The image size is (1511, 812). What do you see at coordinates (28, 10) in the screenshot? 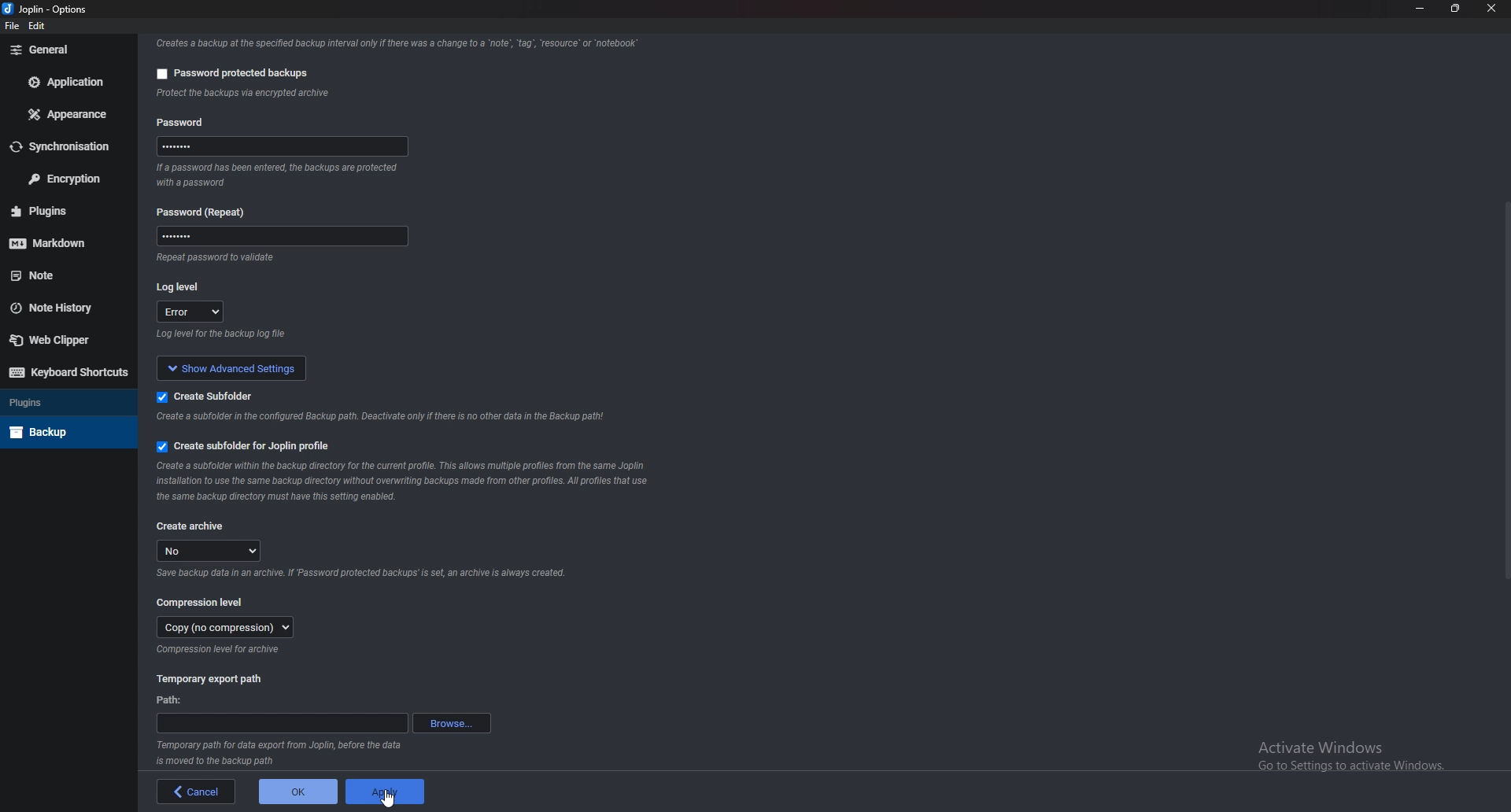
I see `joplin` at bounding box center [28, 10].